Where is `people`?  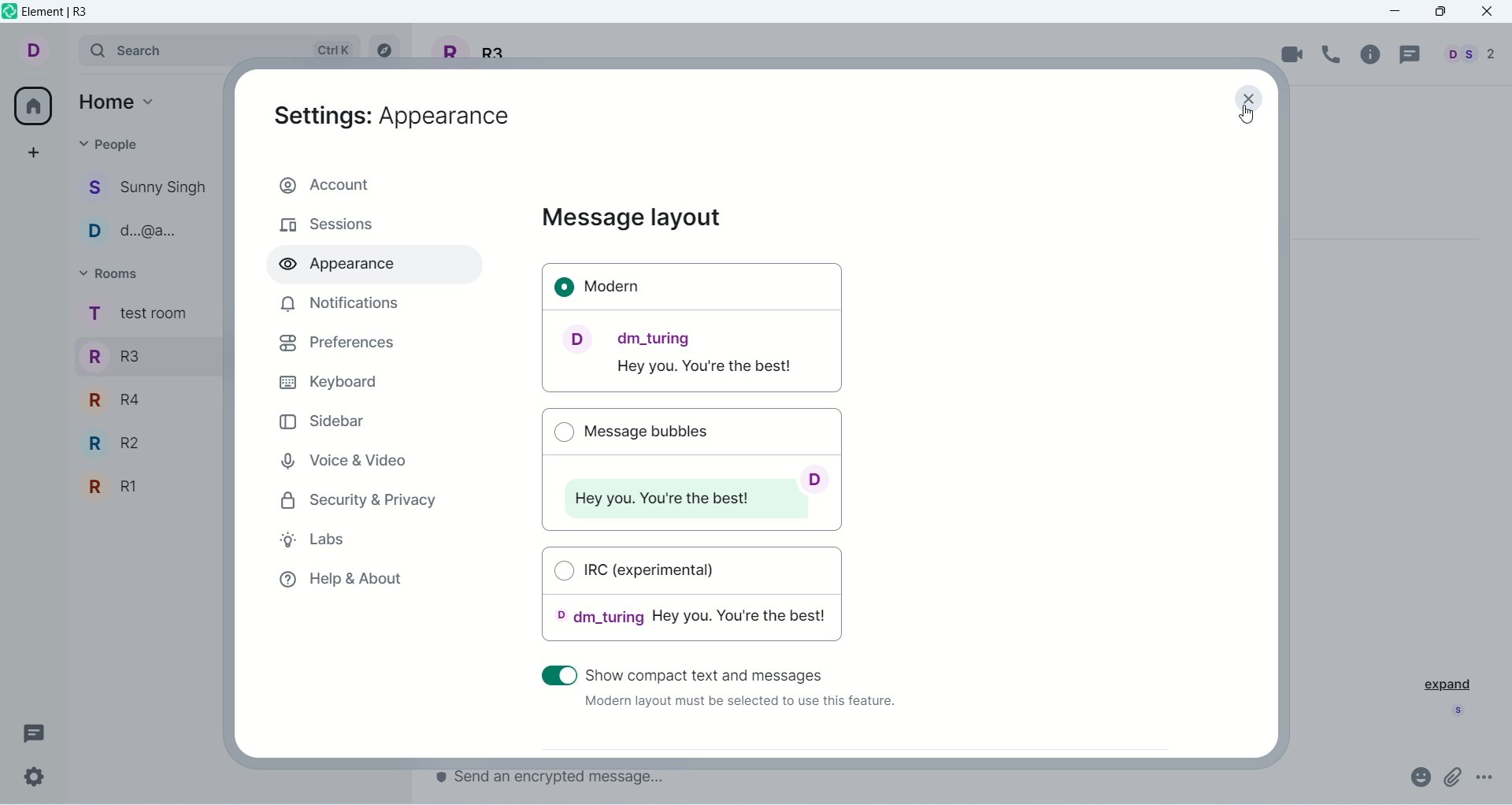 people is located at coordinates (112, 143).